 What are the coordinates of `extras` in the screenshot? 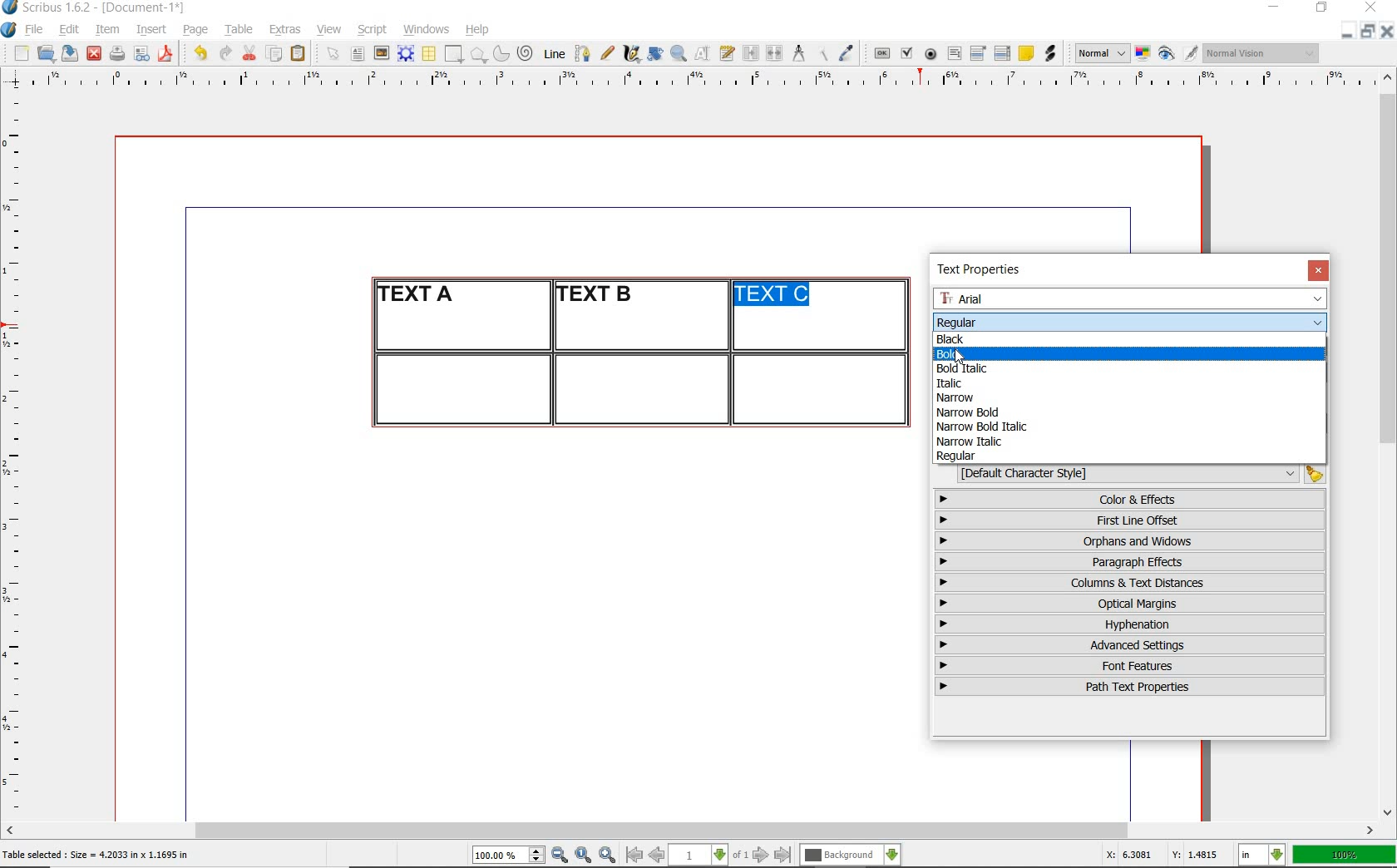 It's located at (285, 31).